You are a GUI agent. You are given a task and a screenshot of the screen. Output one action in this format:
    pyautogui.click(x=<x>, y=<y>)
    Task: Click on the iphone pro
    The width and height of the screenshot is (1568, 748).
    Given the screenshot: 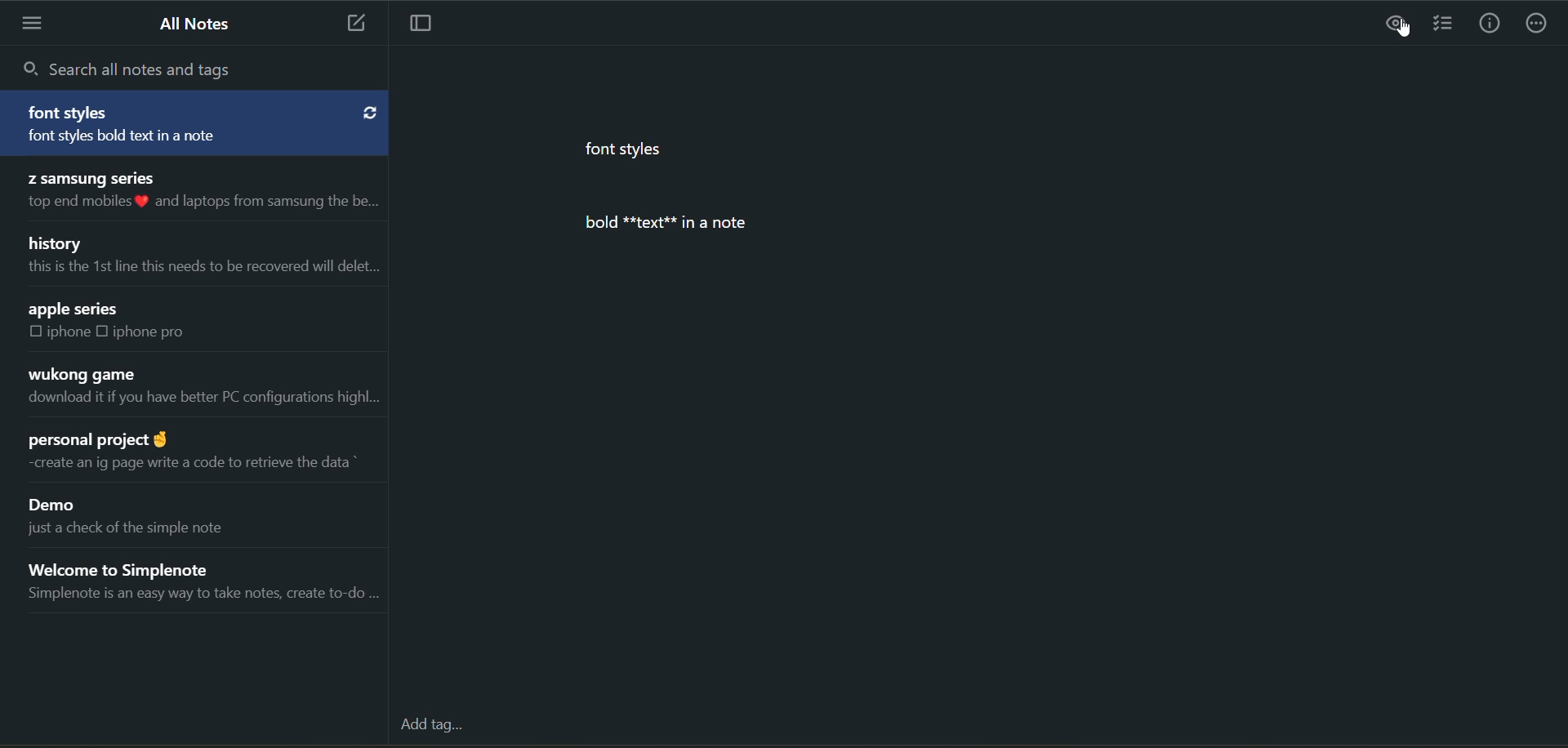 What is the action you would take?
    pyautogui.click(x=150, y=332)
    